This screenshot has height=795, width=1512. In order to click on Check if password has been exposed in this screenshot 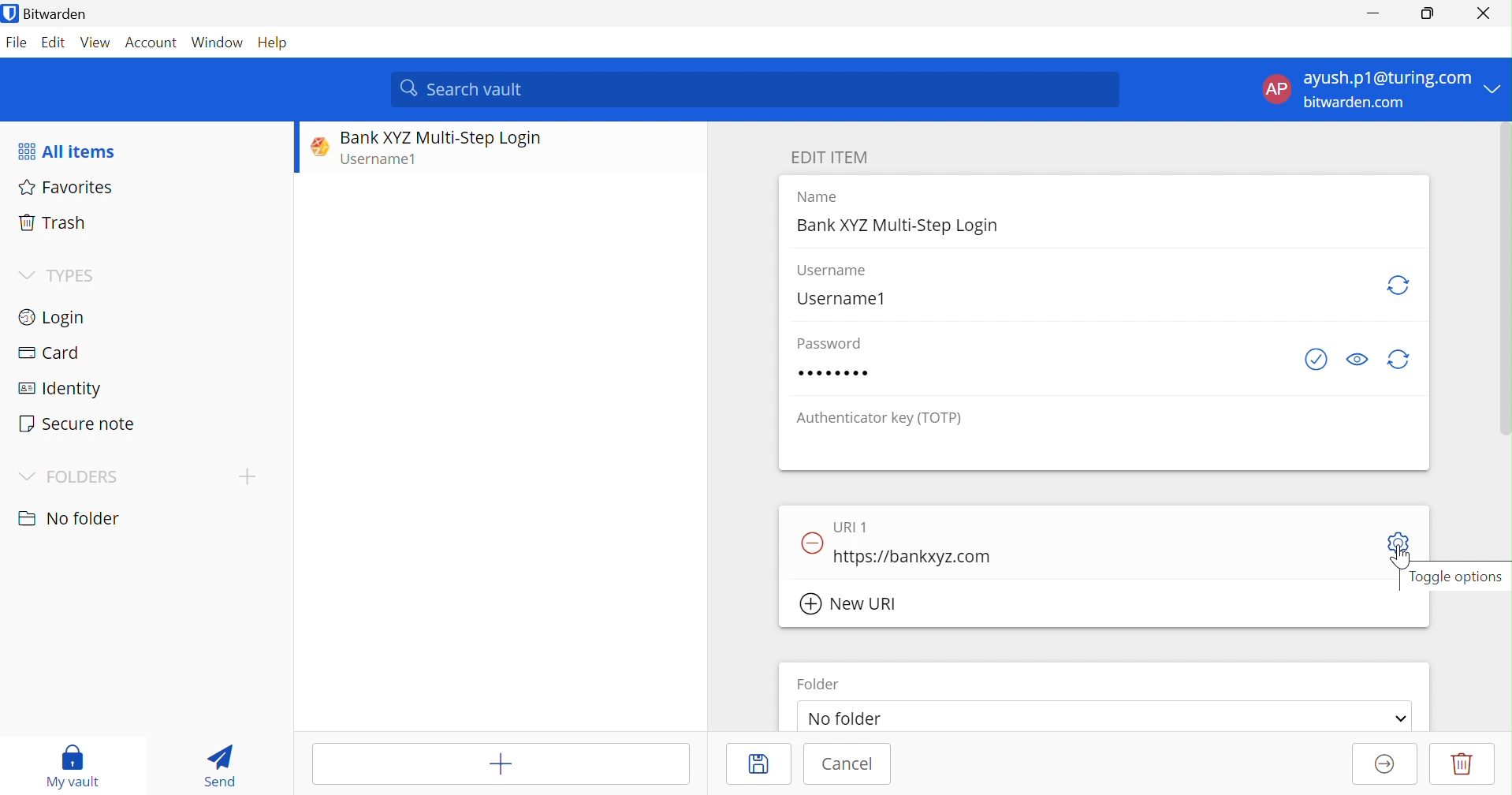, I will do `click(1313, 361)`.